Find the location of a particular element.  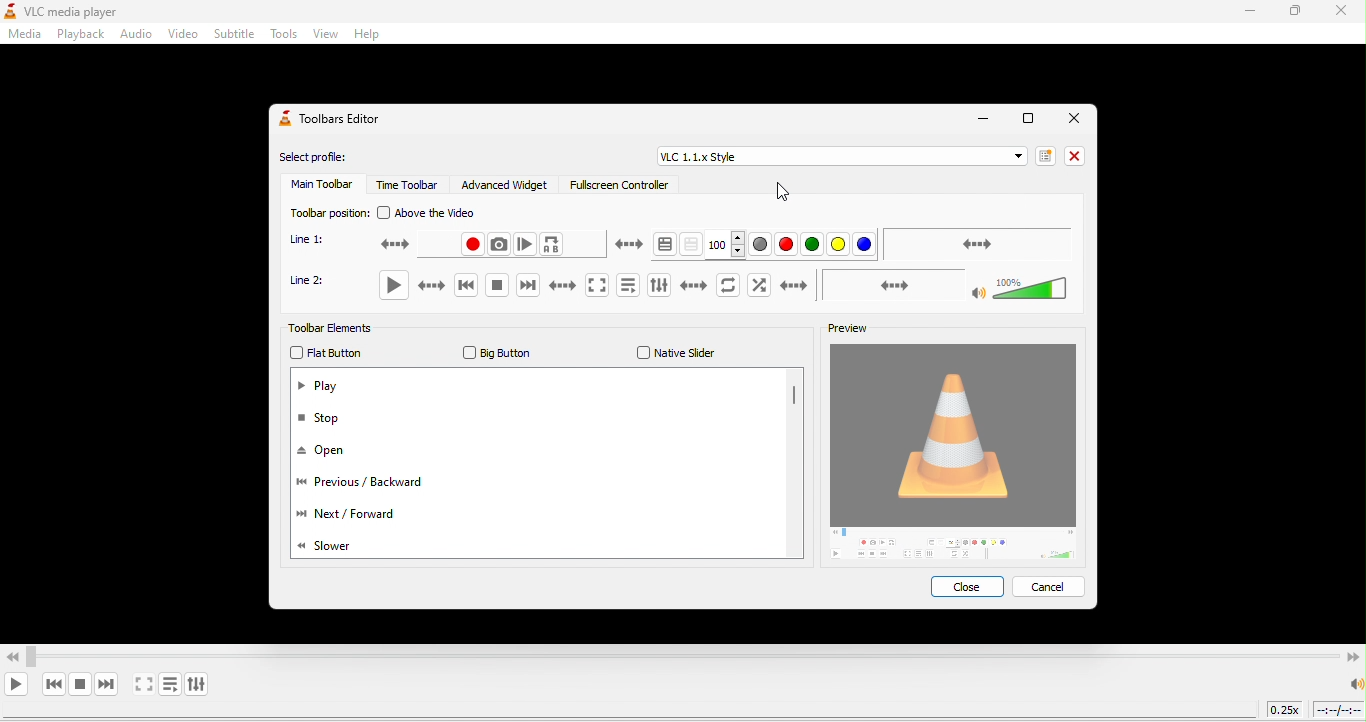

video in full screen is located at coordinates (145, 685).